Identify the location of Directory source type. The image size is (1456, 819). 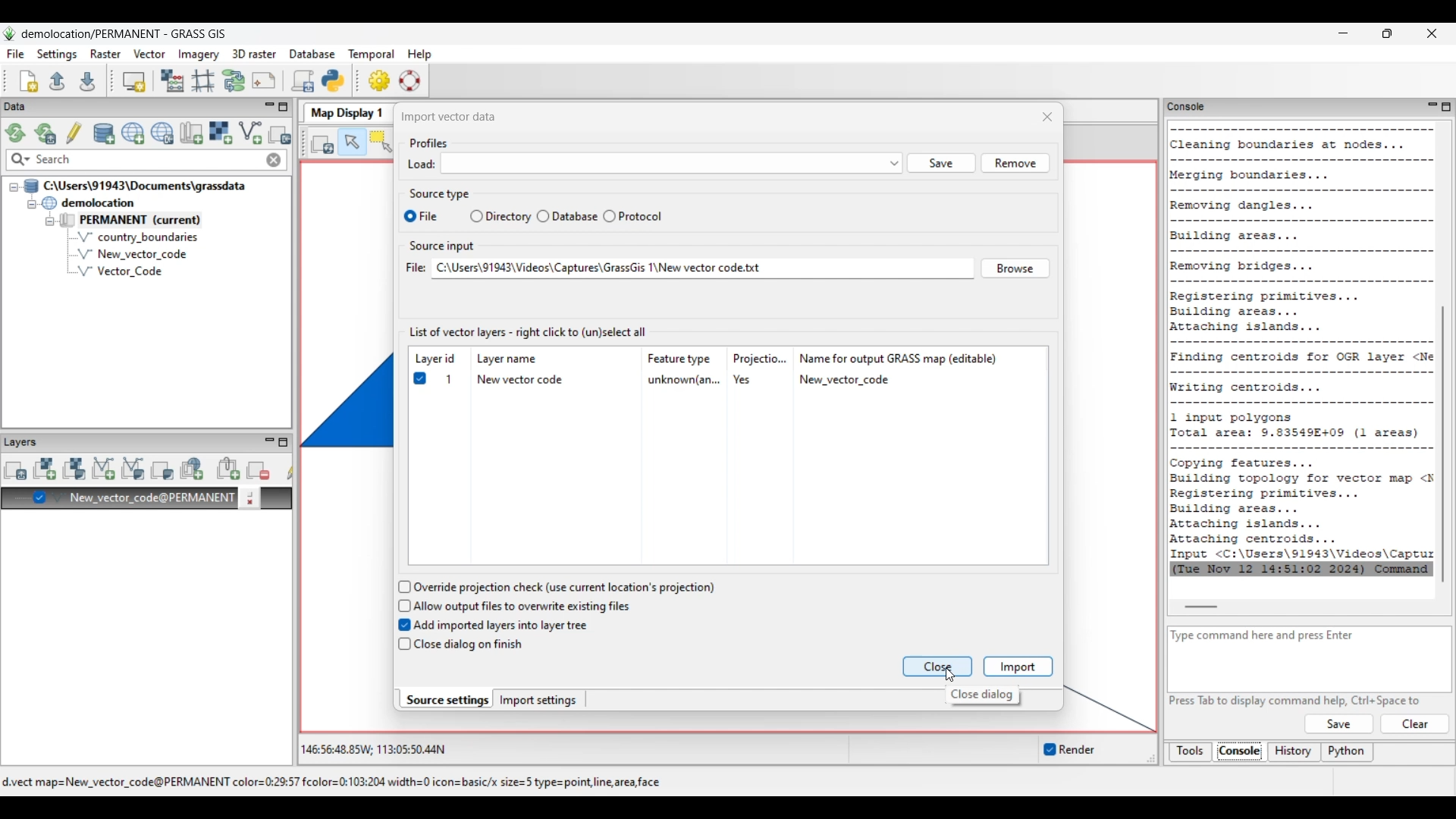
(508, 217).